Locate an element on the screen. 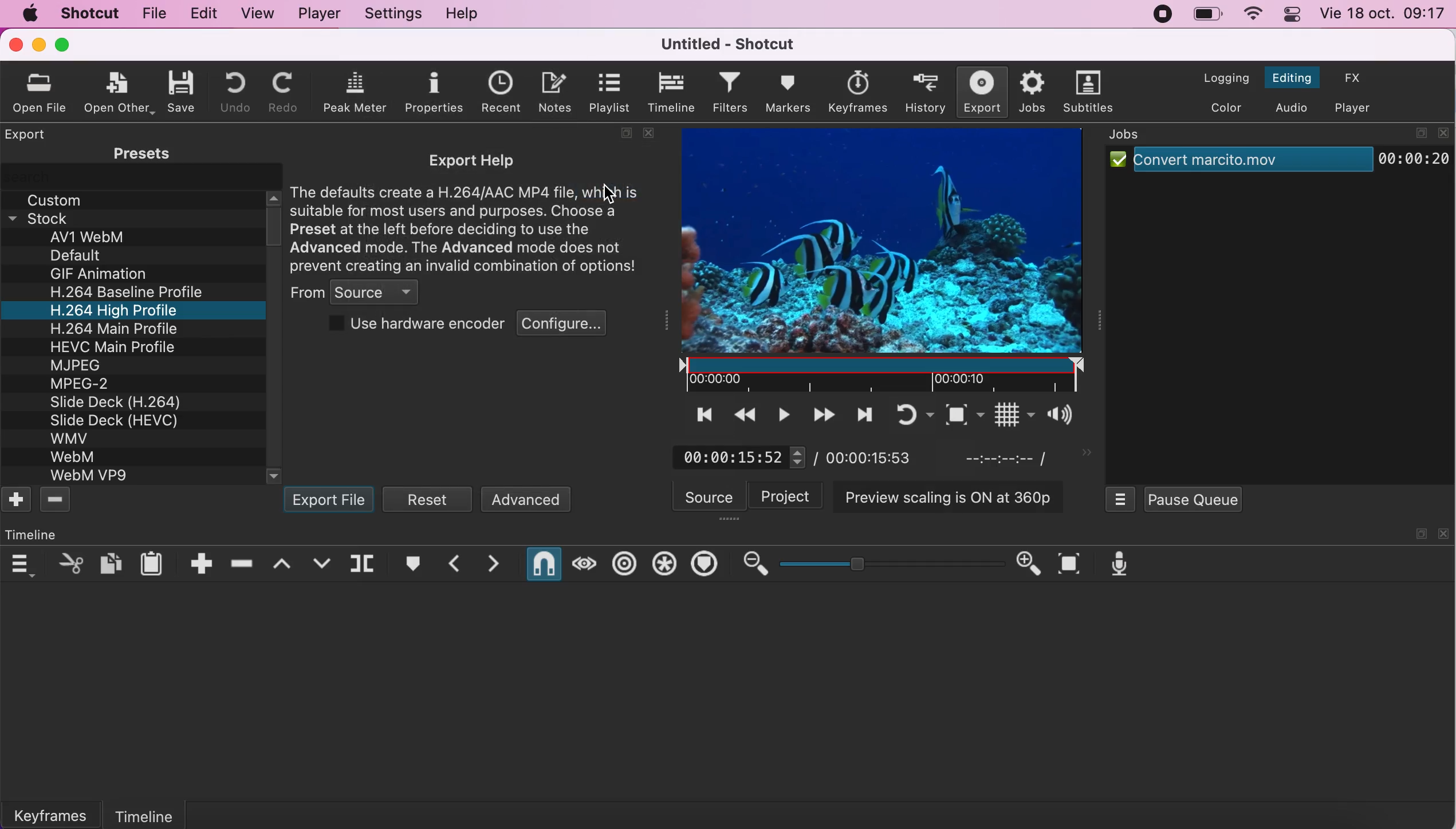  delete is located at coordinates (58, 501).